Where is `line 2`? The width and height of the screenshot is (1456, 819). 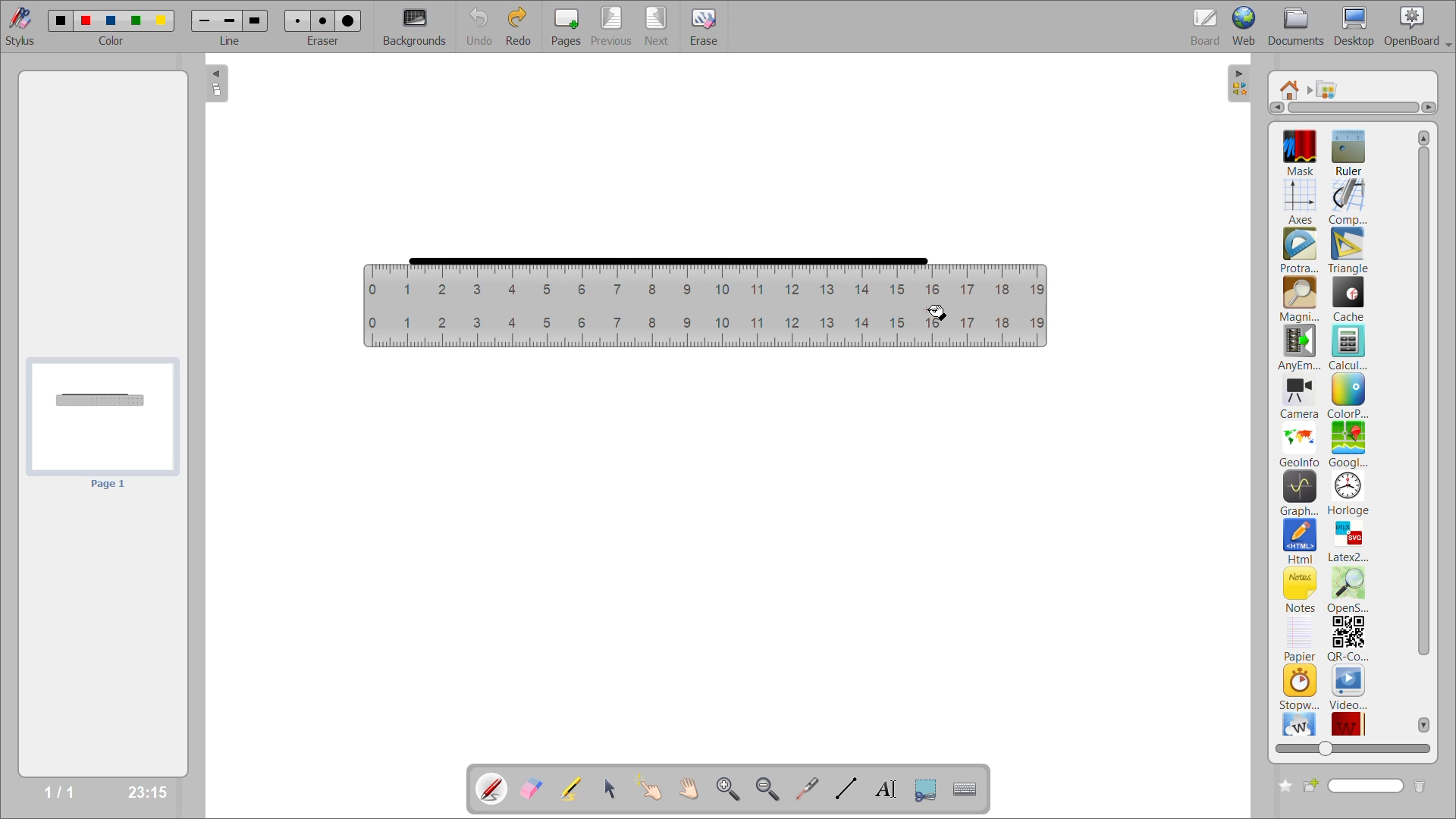 line 2 is located at coordinates (228, 20).